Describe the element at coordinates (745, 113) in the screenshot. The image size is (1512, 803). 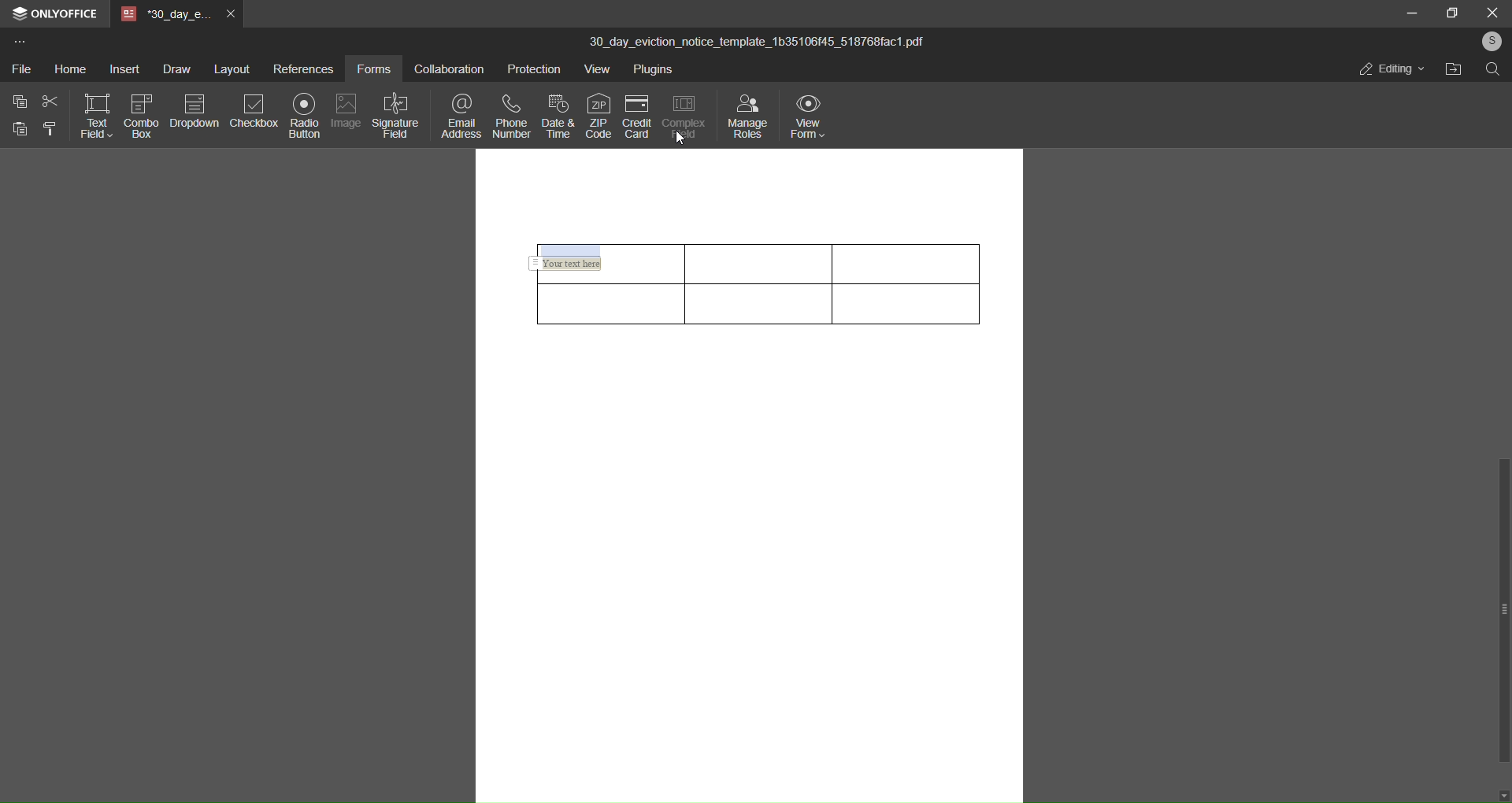
I see `manage roles` at that location.